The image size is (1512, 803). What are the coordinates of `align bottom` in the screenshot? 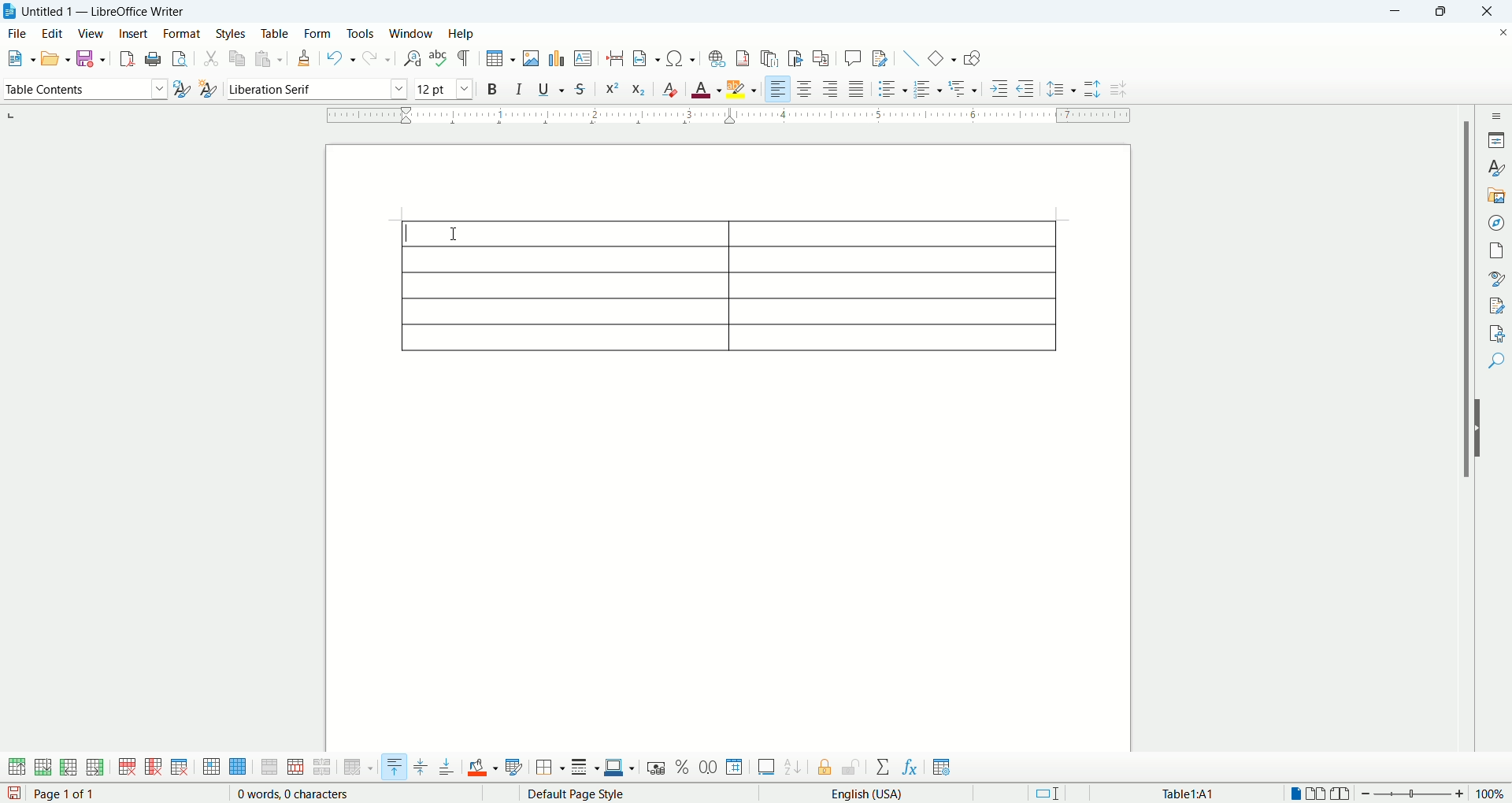 It's located at (448, 767).